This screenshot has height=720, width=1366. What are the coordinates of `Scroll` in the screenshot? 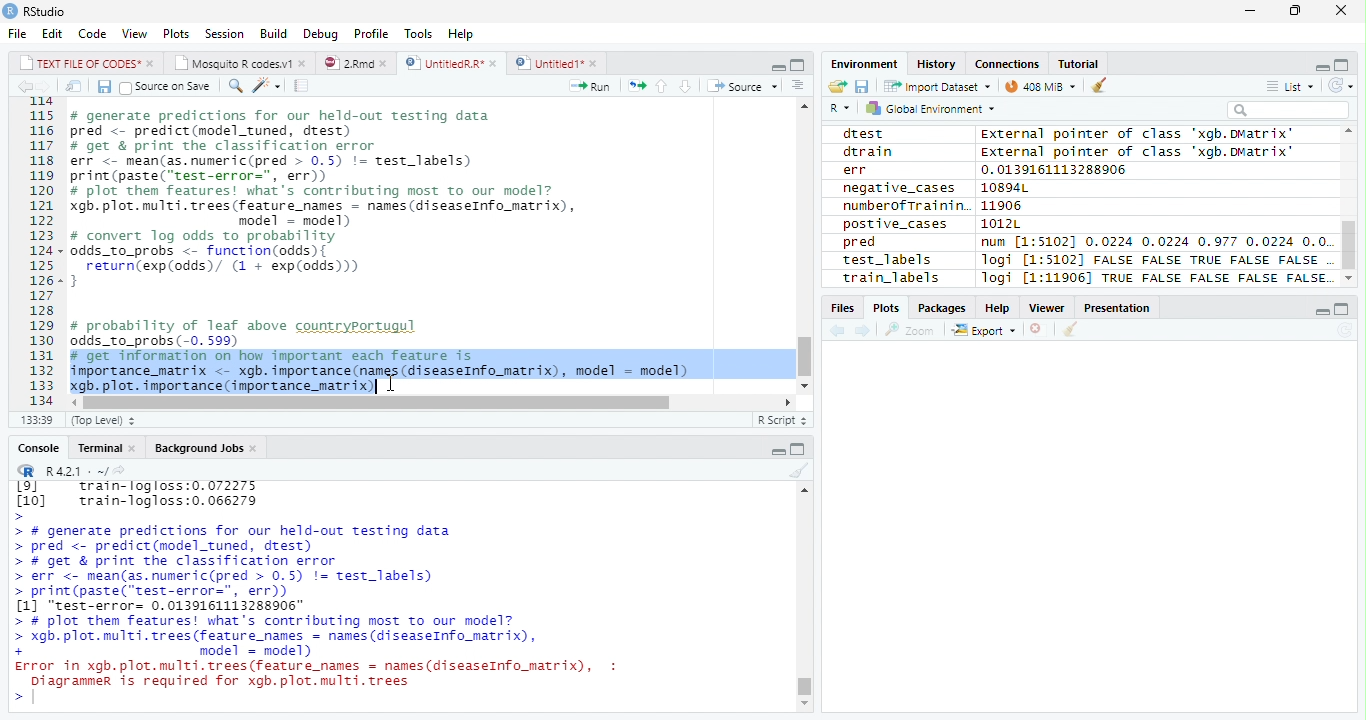 It's located at (431, 404).